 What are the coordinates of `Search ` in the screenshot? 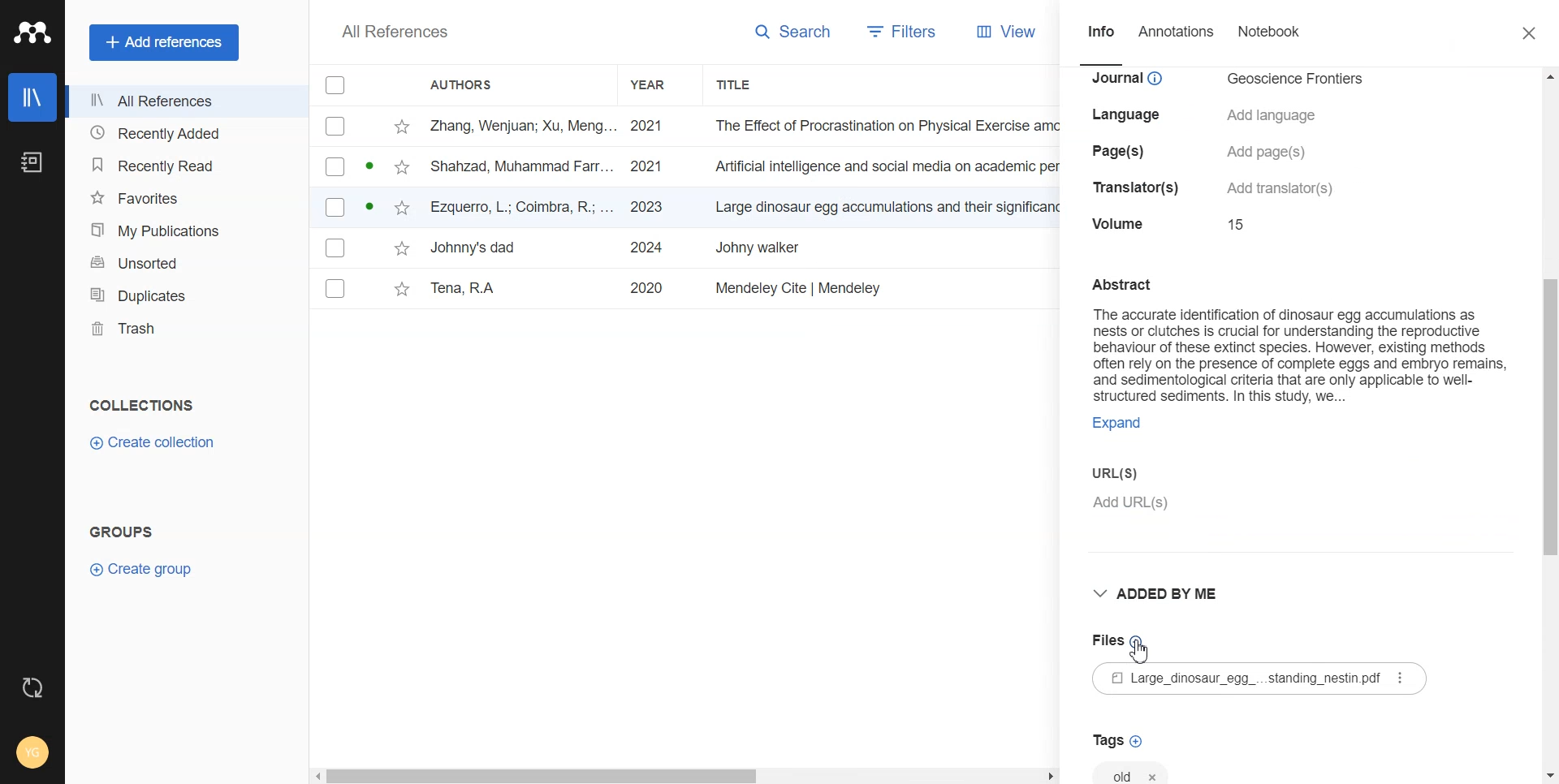 It's located at (792, 31).